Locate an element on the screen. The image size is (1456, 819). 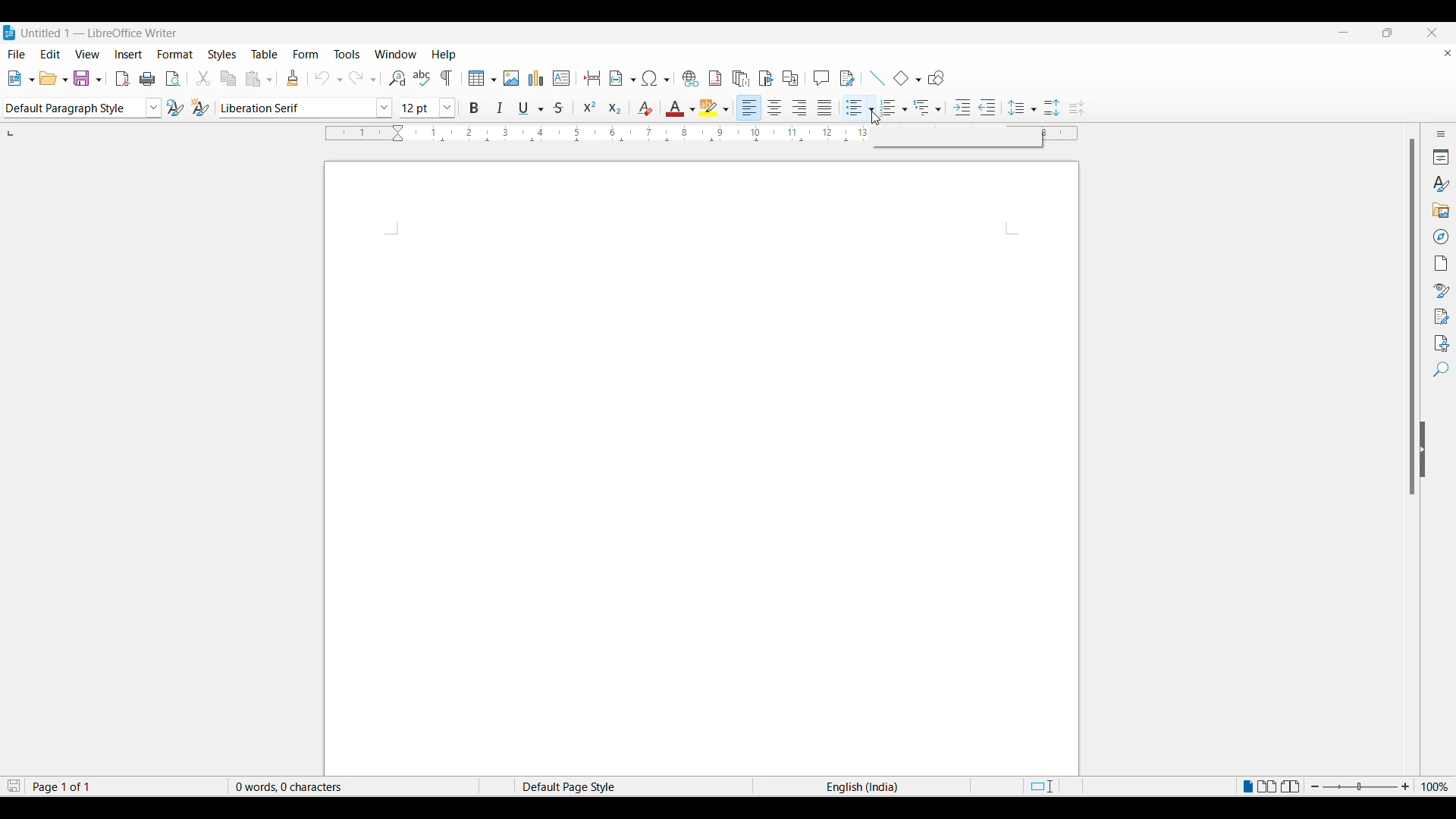
Decrease line spacing is located at coordinates (1081, 106).